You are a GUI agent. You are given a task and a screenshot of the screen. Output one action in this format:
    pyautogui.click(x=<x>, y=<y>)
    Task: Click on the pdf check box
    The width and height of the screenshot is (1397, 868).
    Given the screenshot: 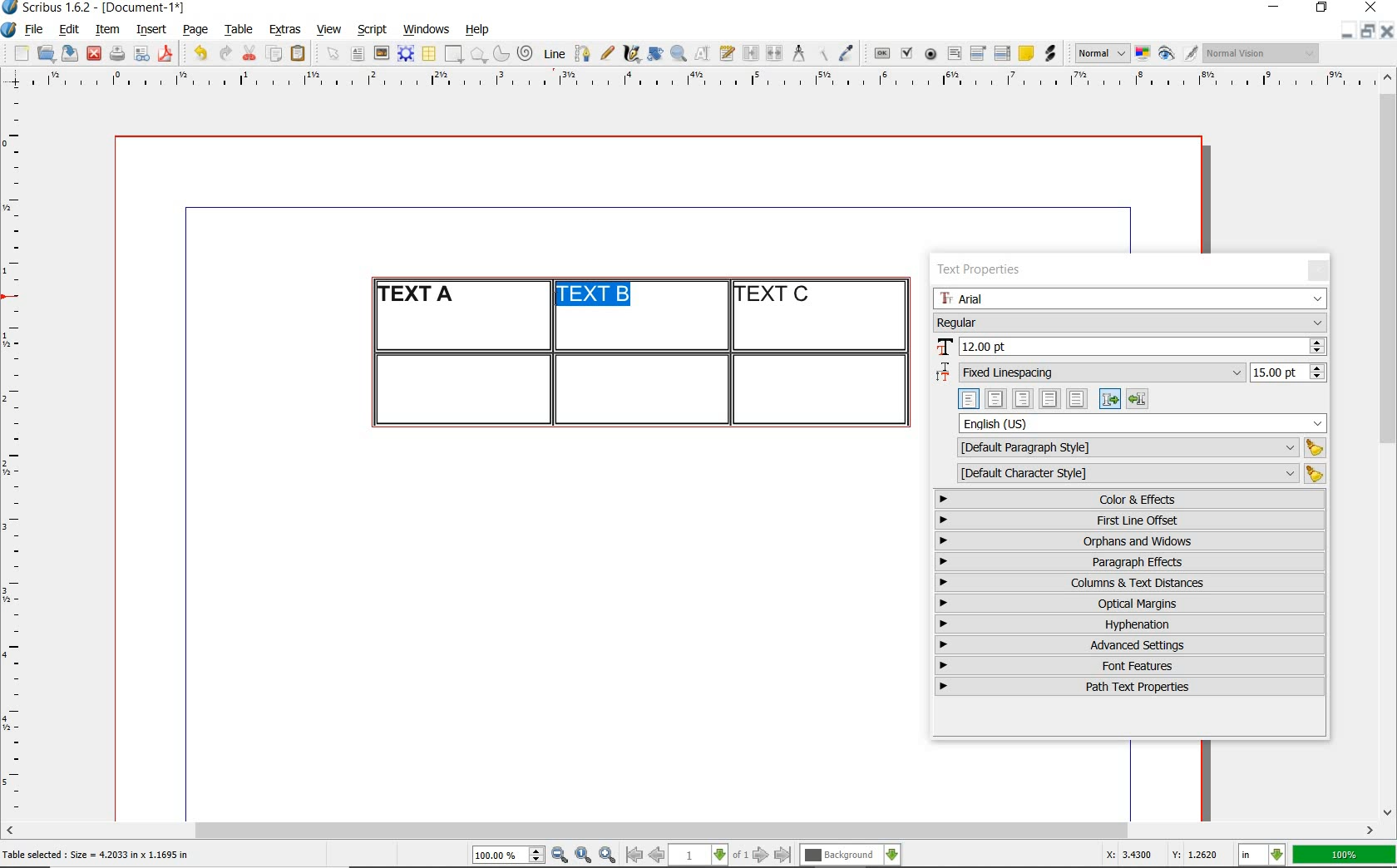 What is the action you would take?
    pyautogui.click(x=906, y=54)
    